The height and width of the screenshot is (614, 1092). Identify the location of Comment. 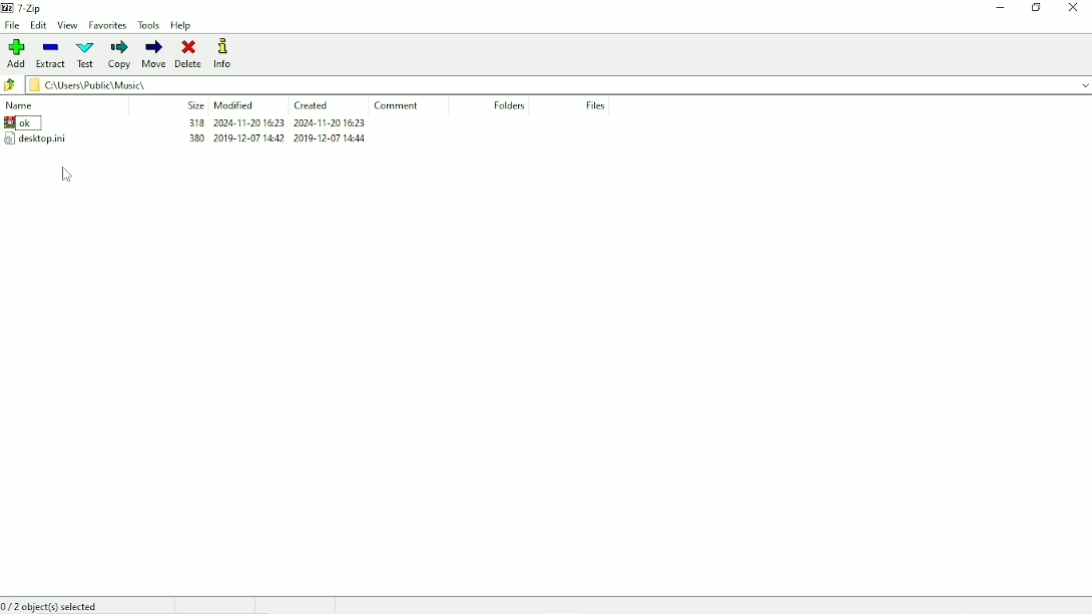
(397, 106).